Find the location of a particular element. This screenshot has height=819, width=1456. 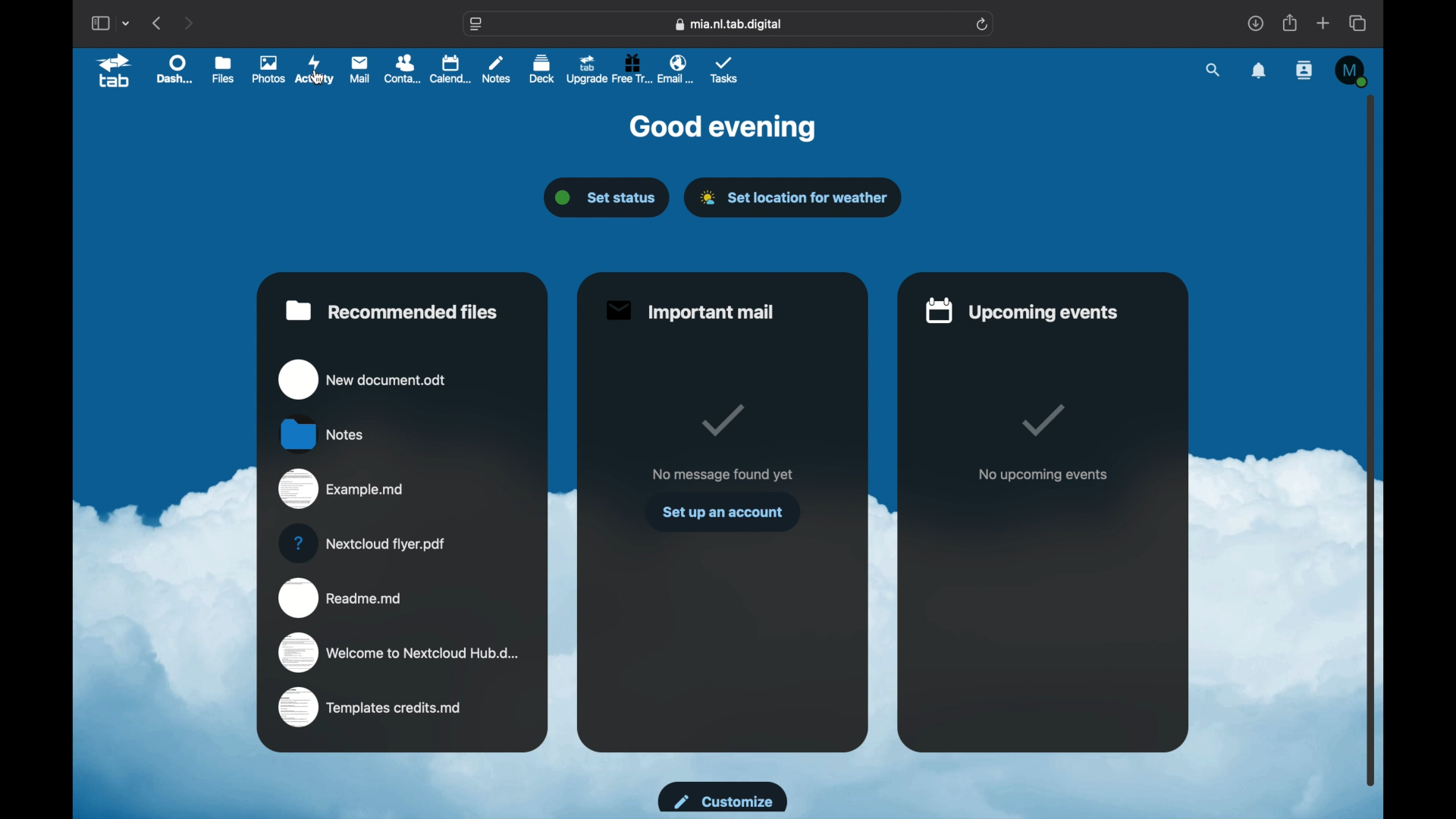

cursor is located at coordinates (318, 80).